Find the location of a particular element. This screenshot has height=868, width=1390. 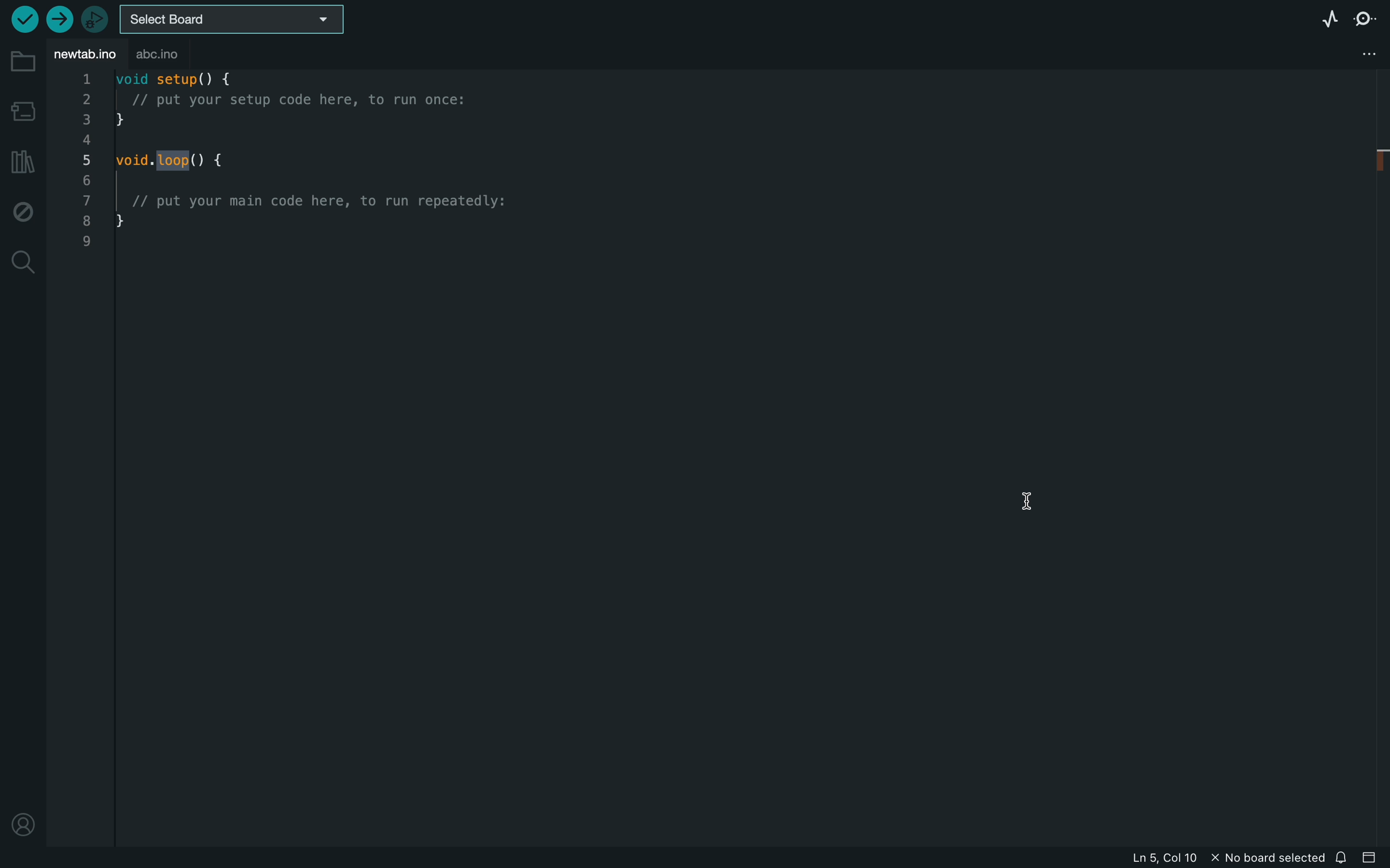

board selecter is located at coordinates (239, 21).